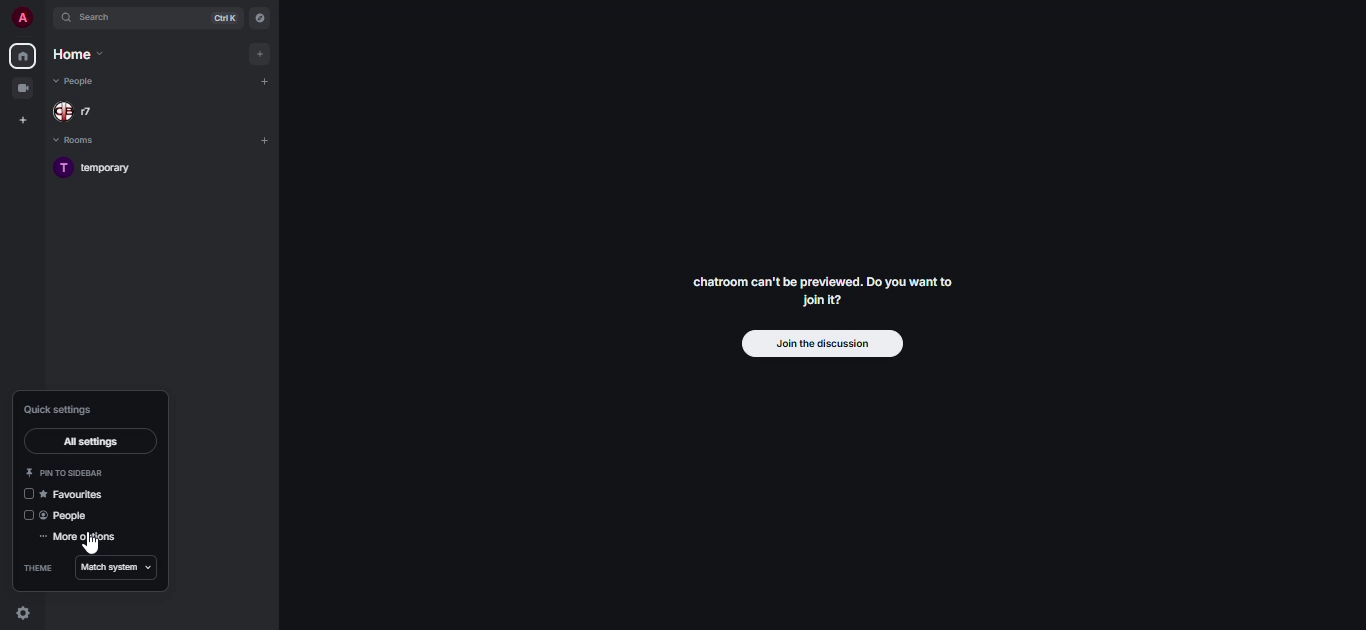 The height and width of the screenshot is (630, 1366). I want to click on add, so click(263, 140).